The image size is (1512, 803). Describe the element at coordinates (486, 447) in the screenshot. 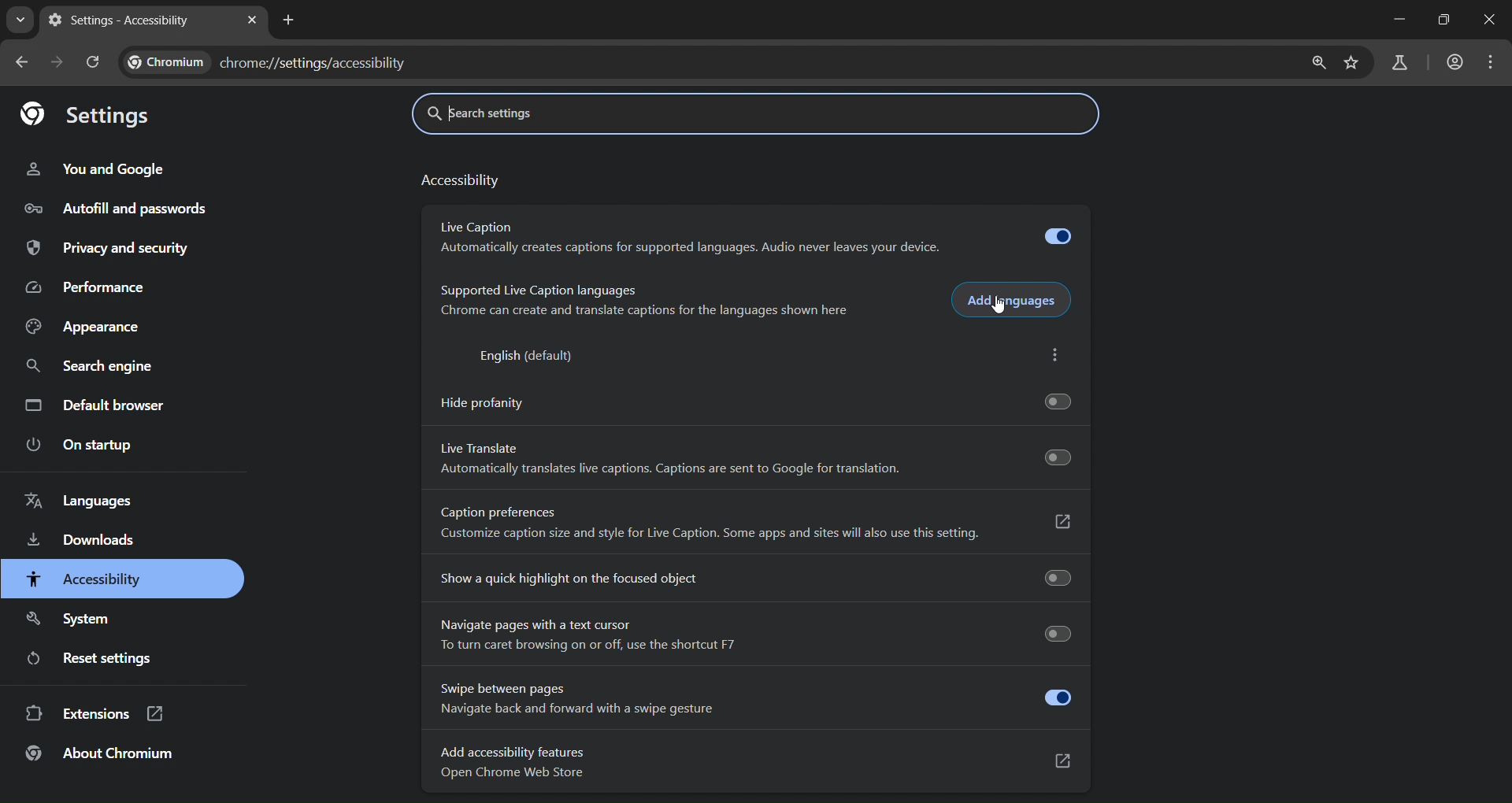

I see `live translate` at that location.